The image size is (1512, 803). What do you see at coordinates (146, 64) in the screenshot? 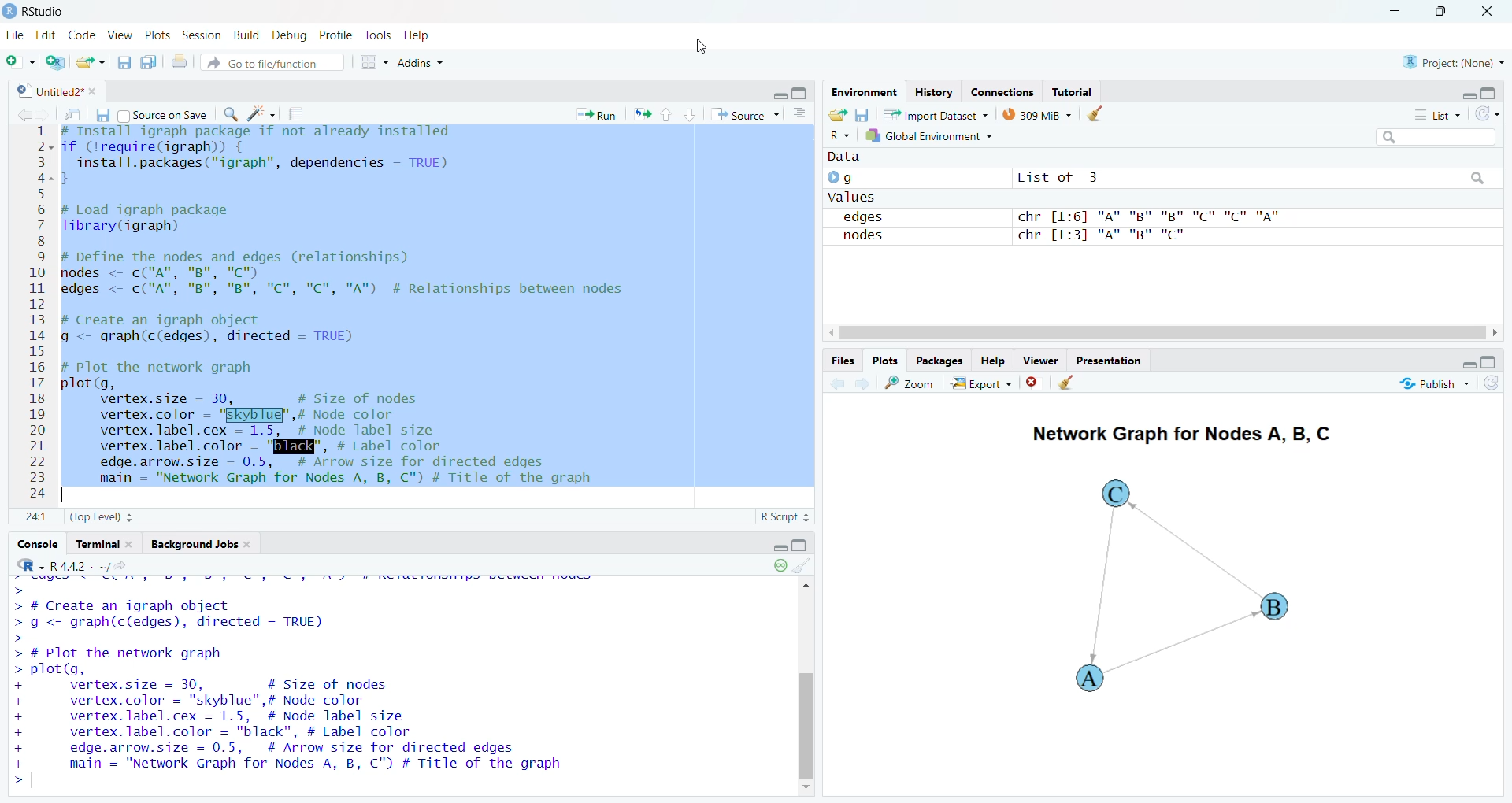
I see `copy` at bounding box center [146, 64].